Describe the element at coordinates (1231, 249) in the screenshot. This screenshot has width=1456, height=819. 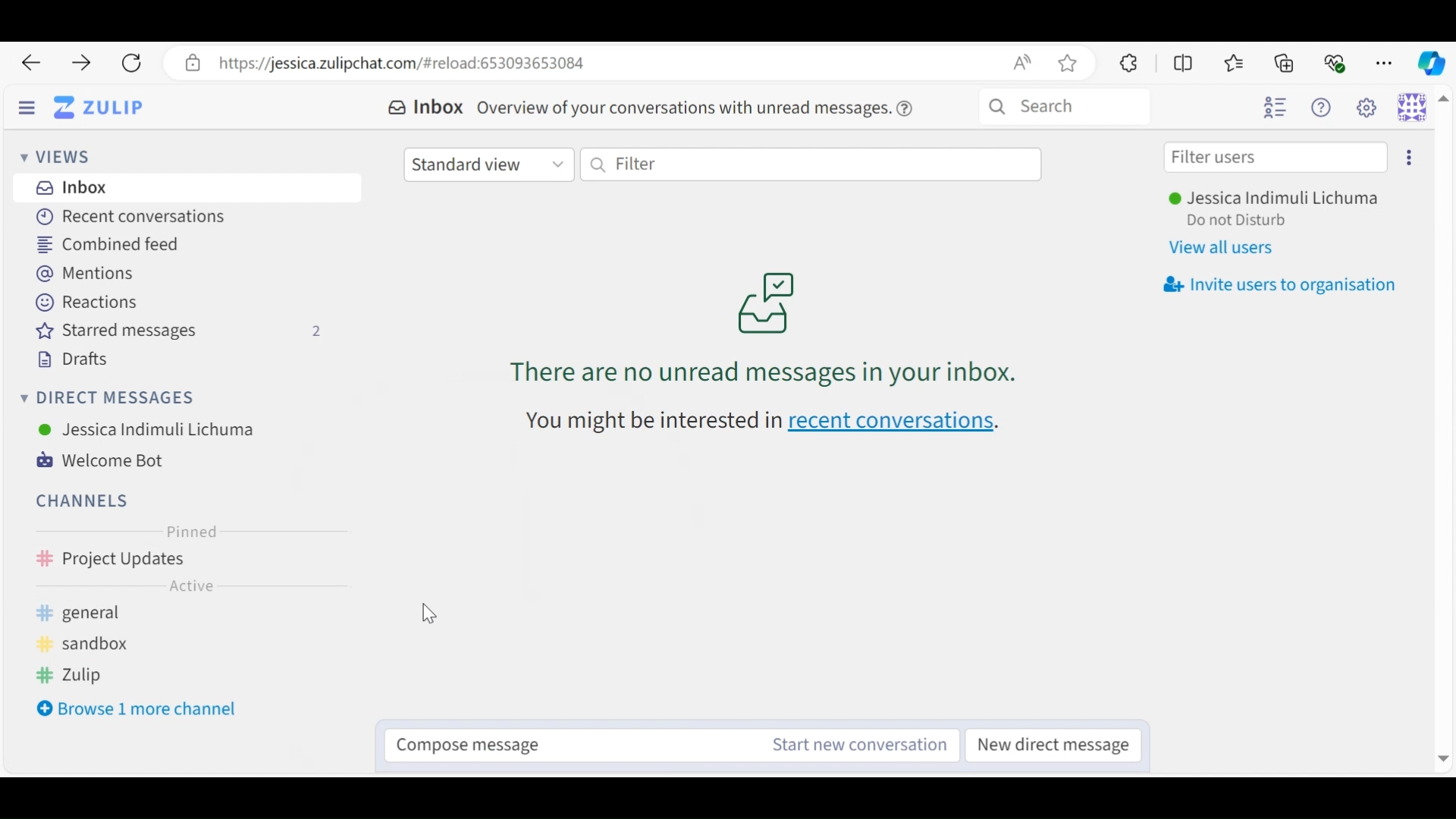
I see `View all users` at that location.